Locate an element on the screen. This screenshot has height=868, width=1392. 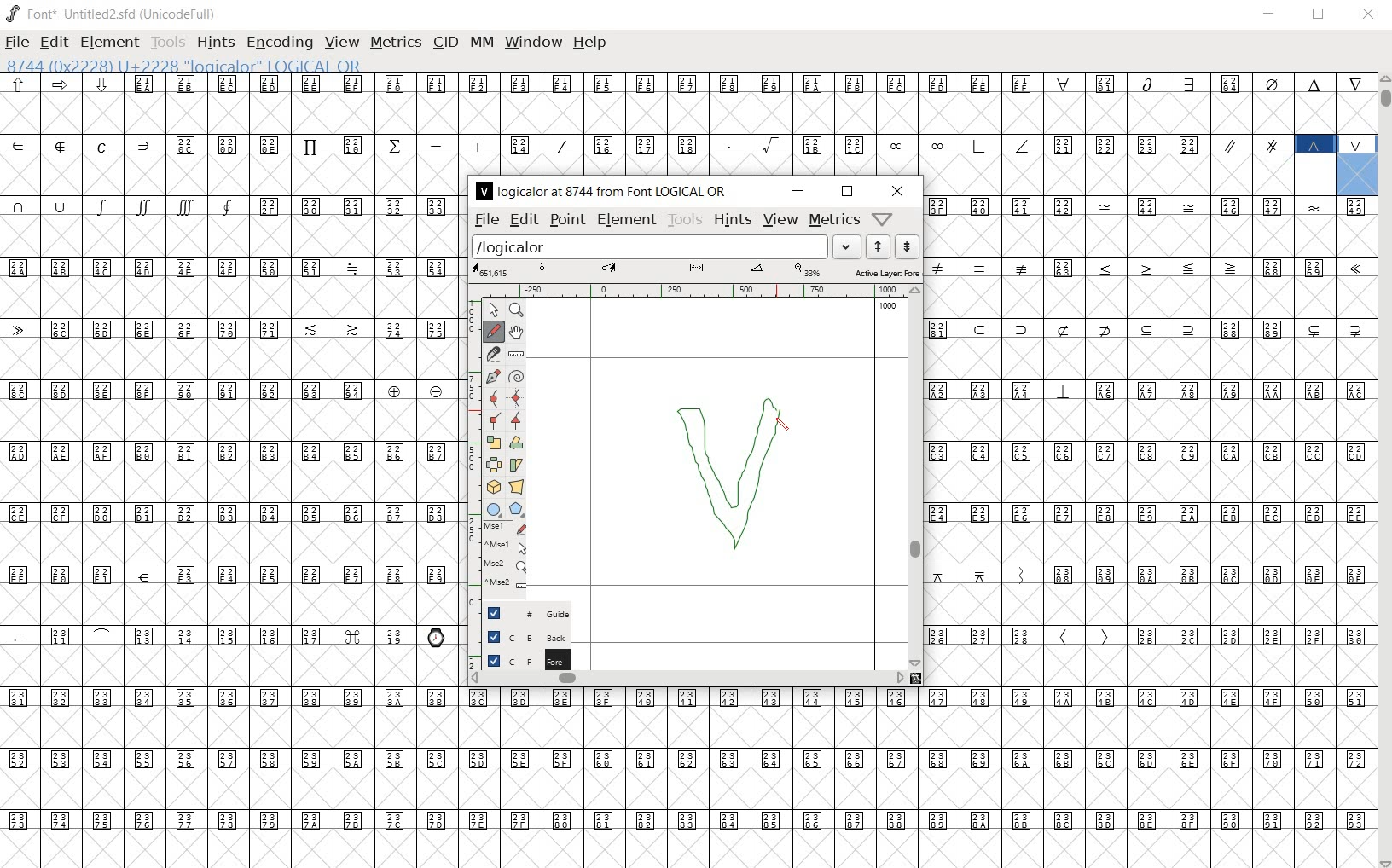
scroll by hand is located at coordinates (516, 333).